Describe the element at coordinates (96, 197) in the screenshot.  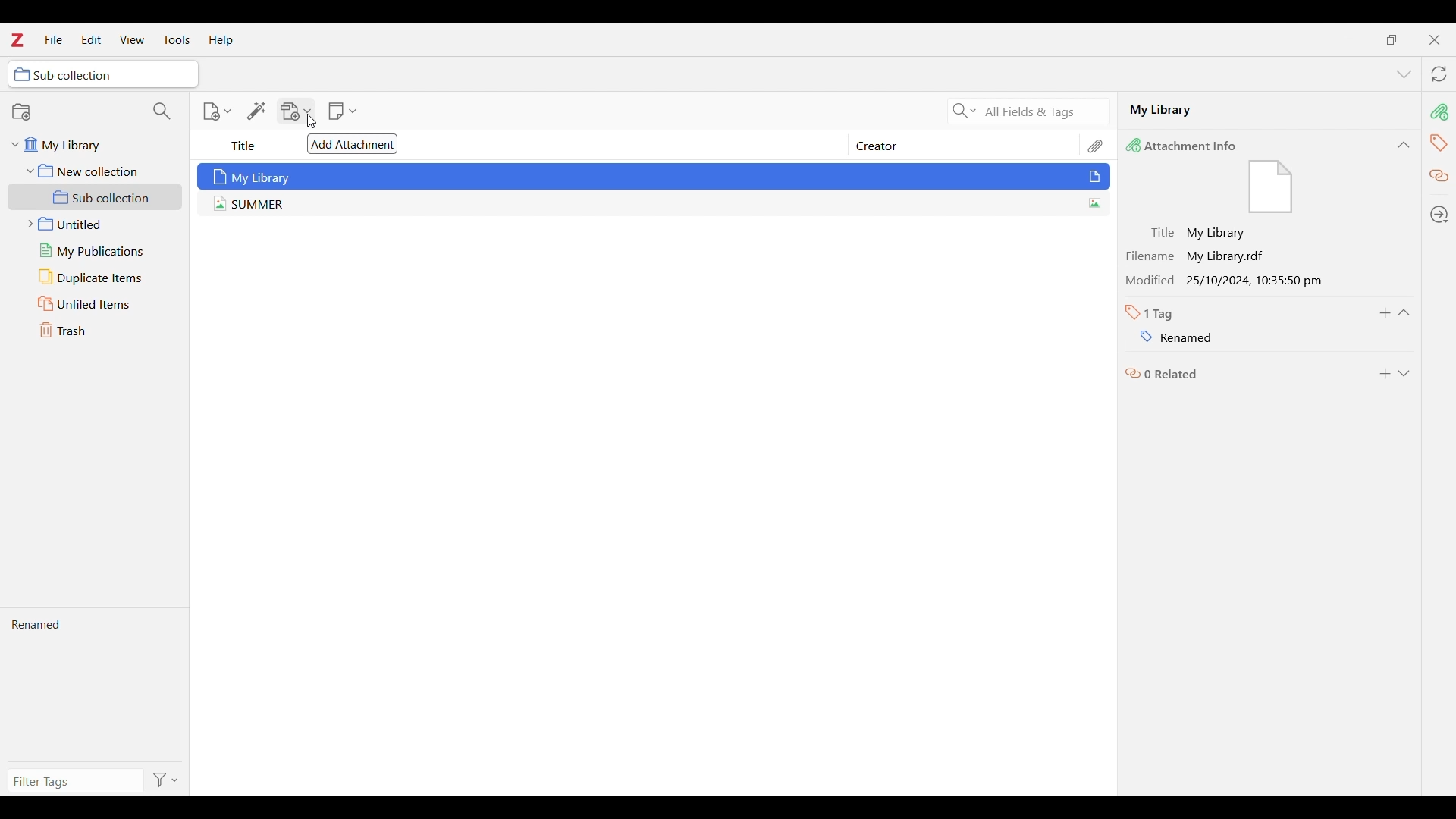
I see `Sub collection folder highlighted` at that location.